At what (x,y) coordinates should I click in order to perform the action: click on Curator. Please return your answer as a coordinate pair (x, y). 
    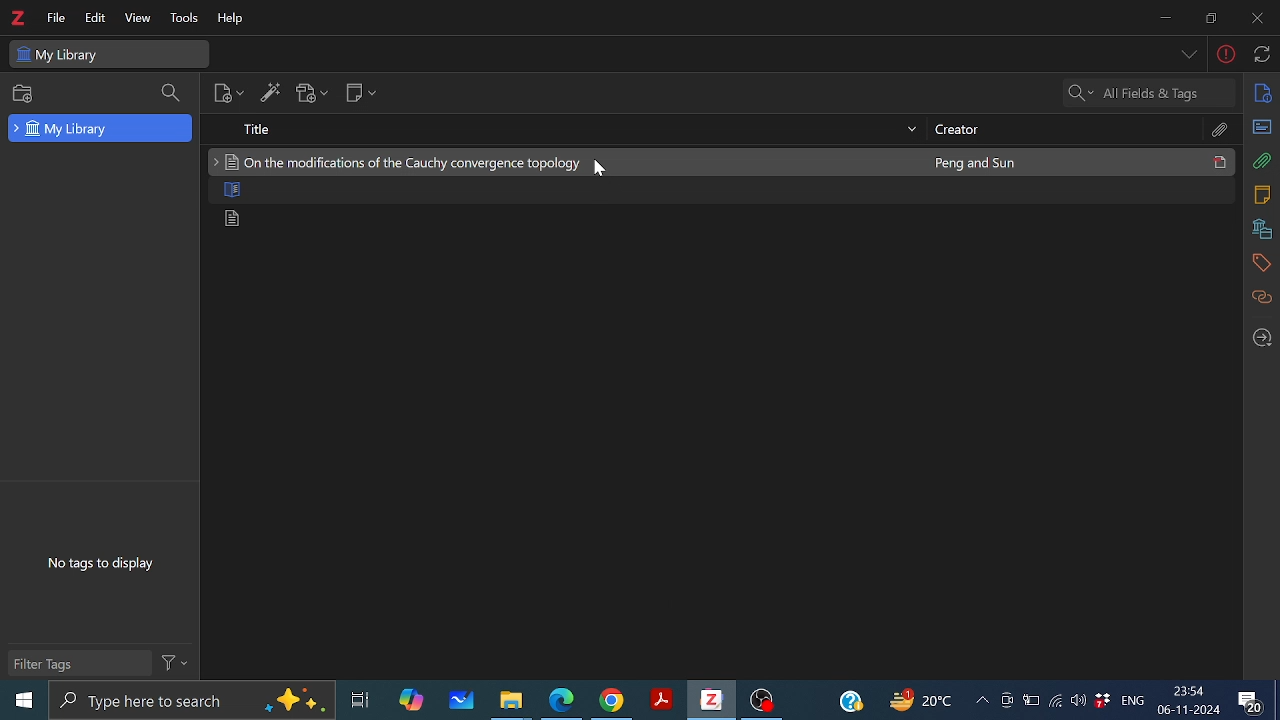
    Looking at the image, I should click on (1065, 130).